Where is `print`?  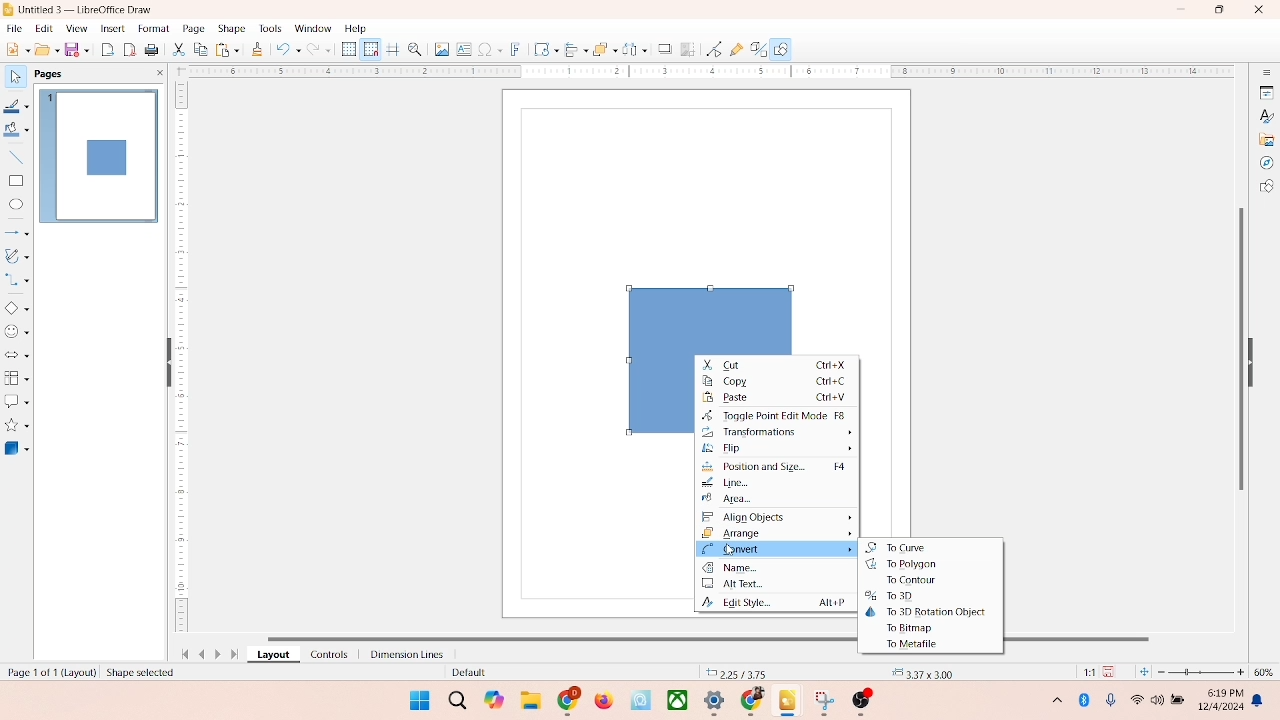 print is located at coordinates (154, 51).